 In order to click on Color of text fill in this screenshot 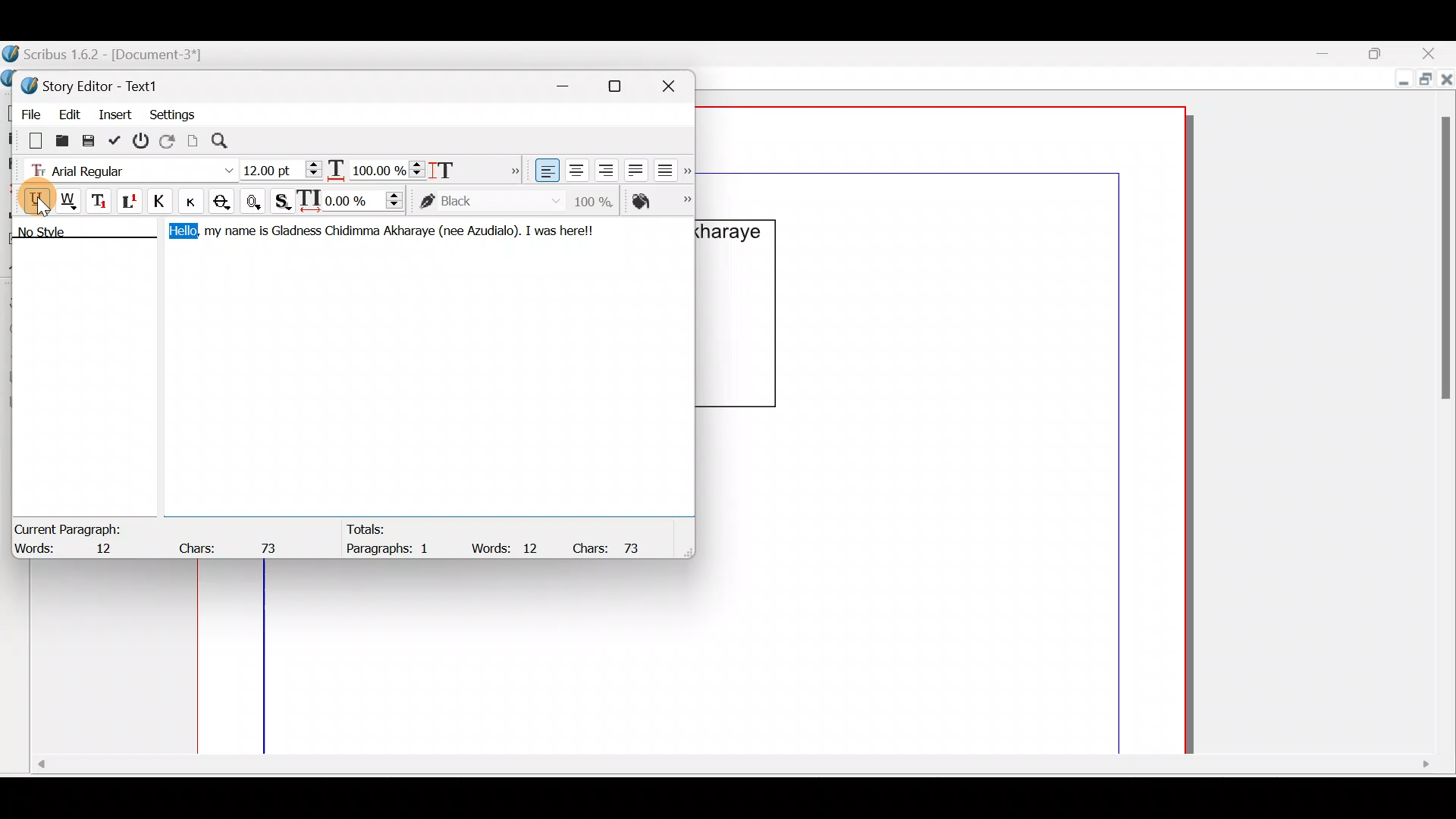, I will do `click(660, 201)`.